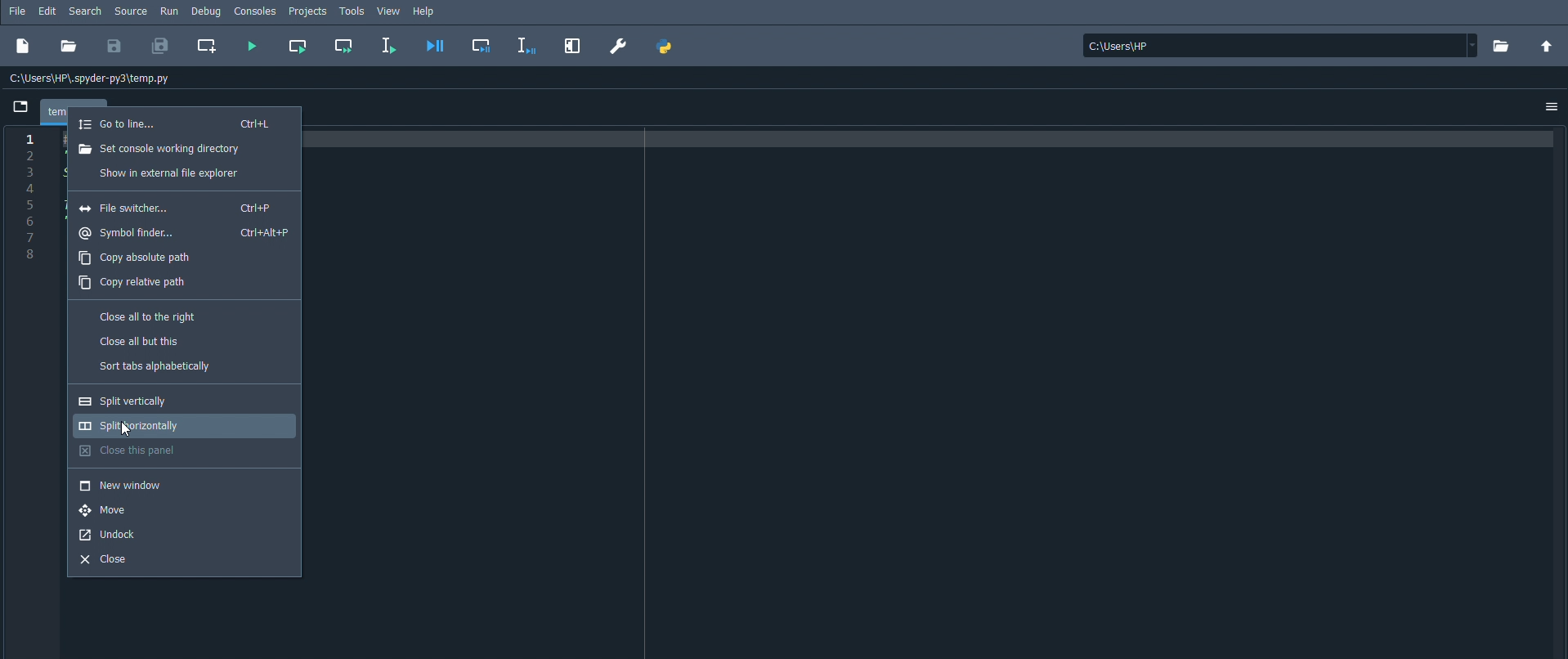  What do you see at coordinates (116, 46) in the screenshot?
I see `Save file` at bounding box center [116, 46].